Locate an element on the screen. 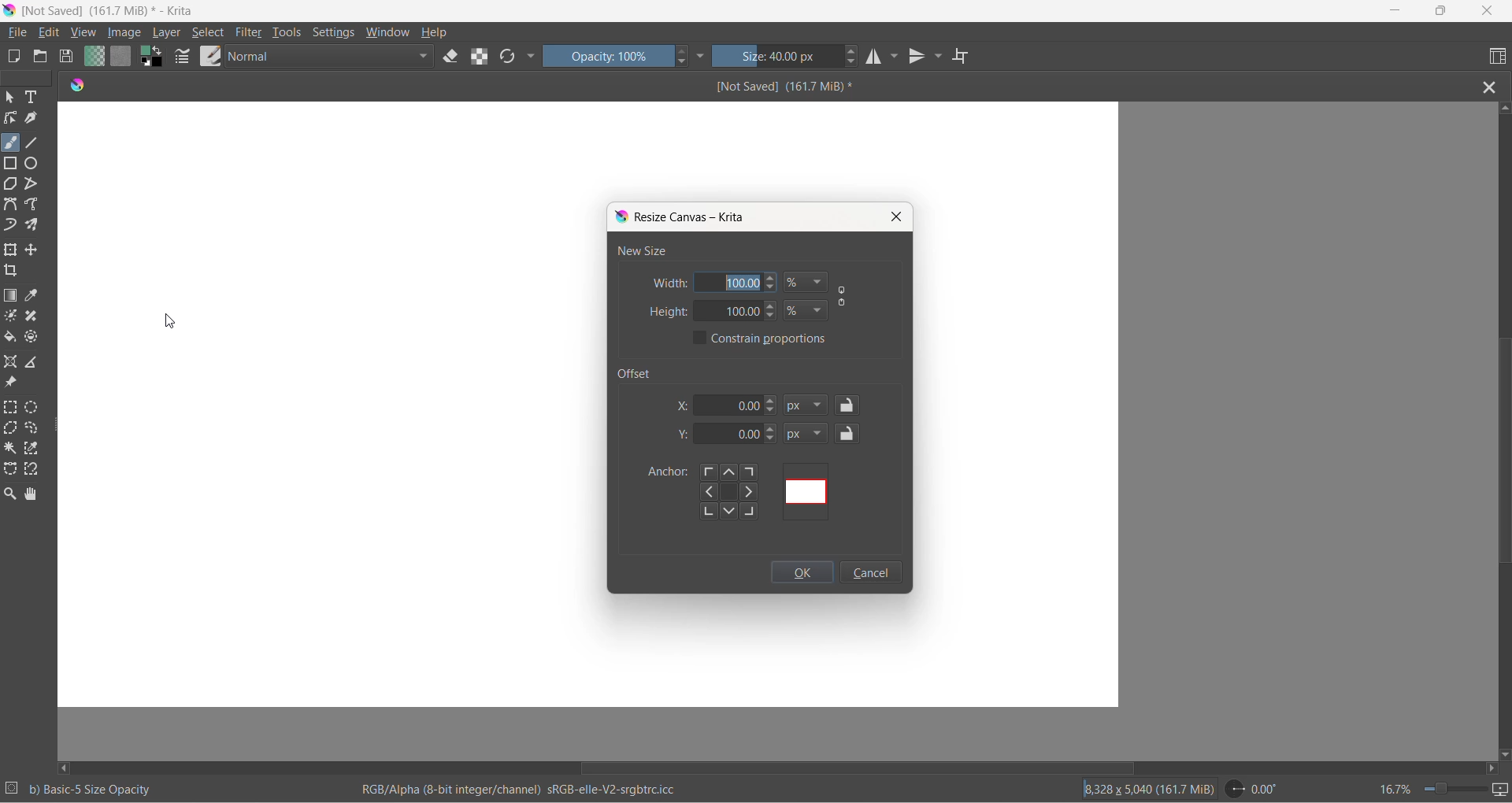 This screenshot has height=803, width=1512. offset using directions is located at coordinates (734, 492).